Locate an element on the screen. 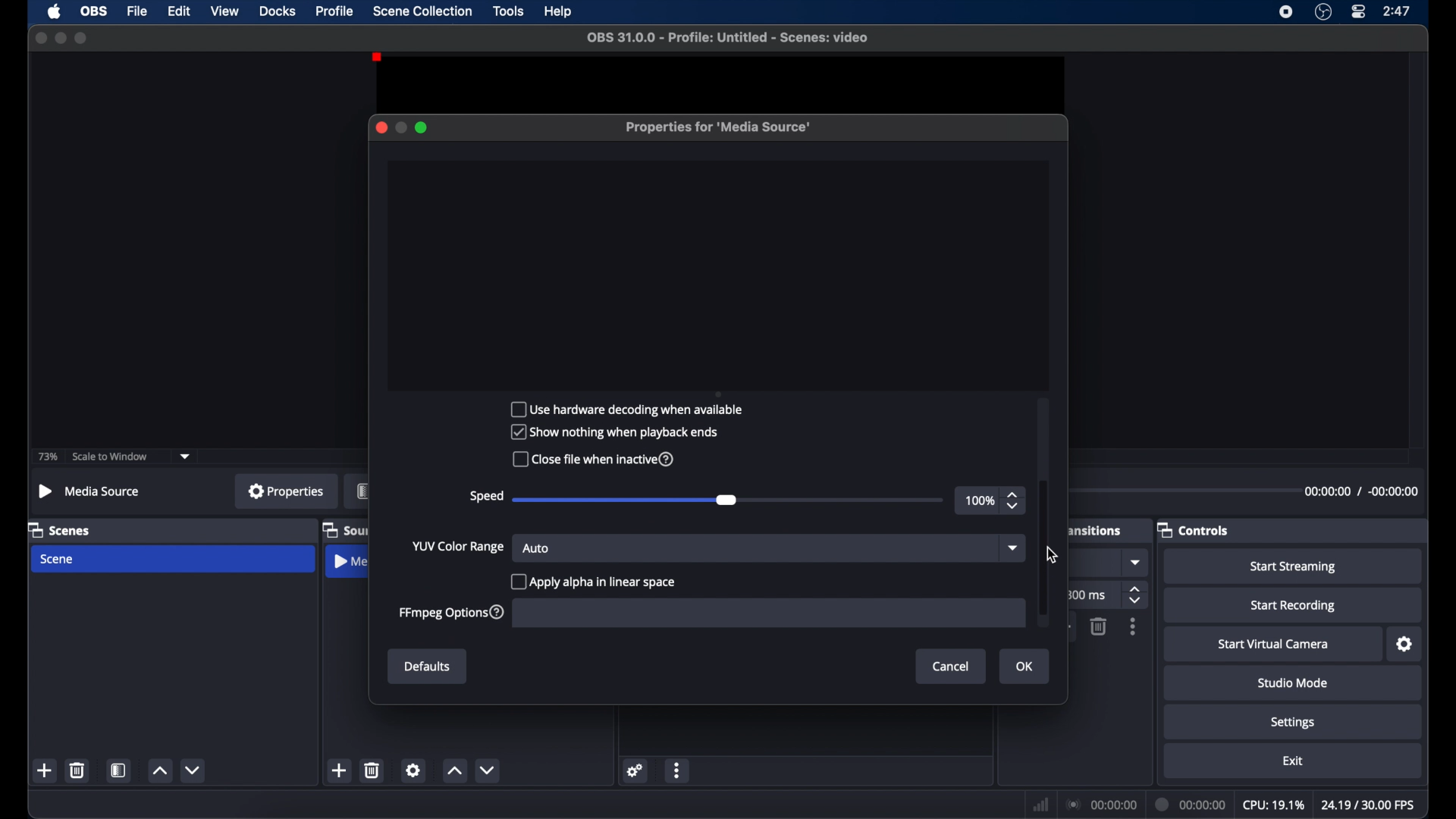 The width and height of the screenshot is (1456, 819). minimize is located at coordinates (400, 127).